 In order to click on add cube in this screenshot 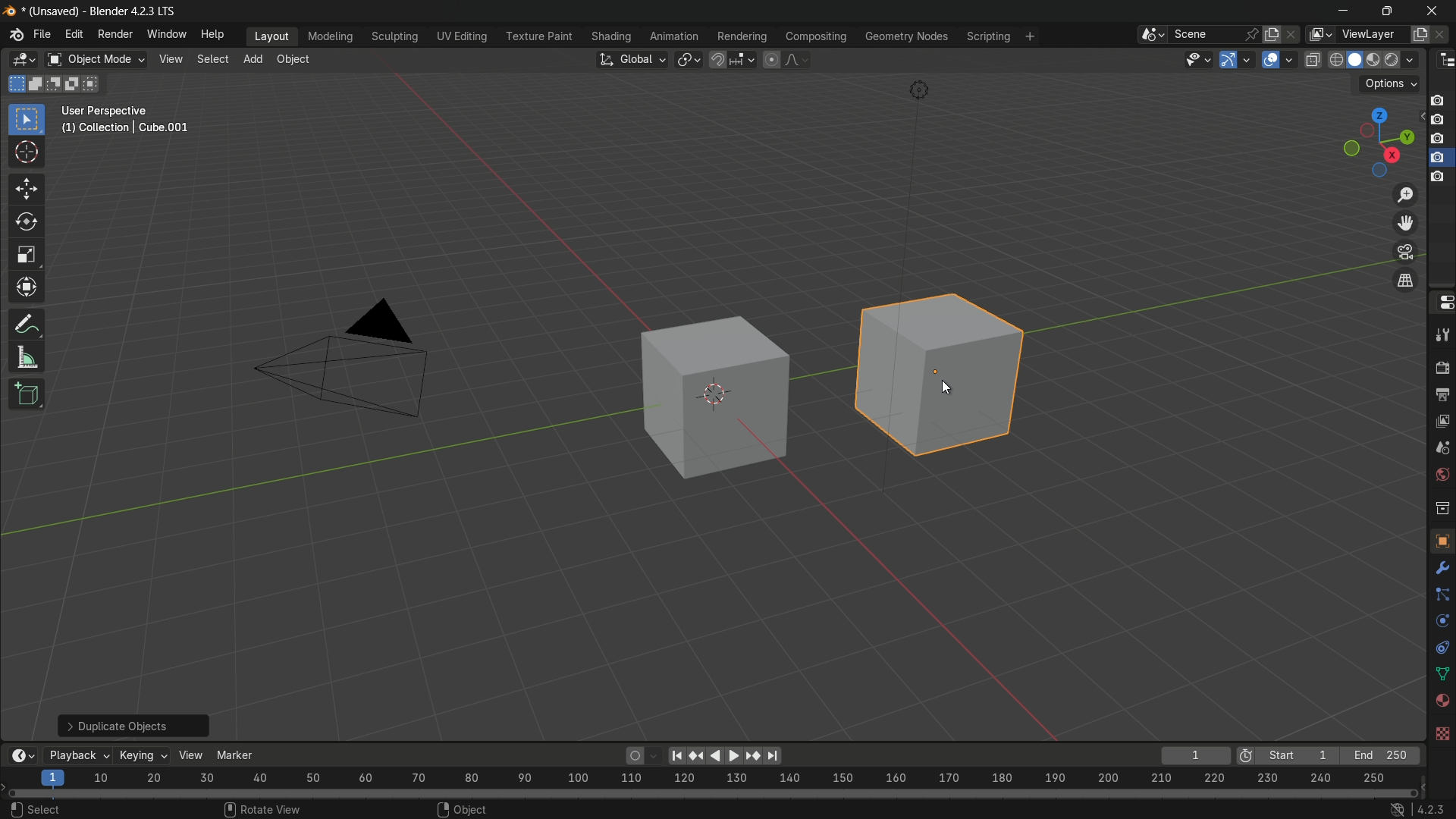, I will do `click(26, 395)`.